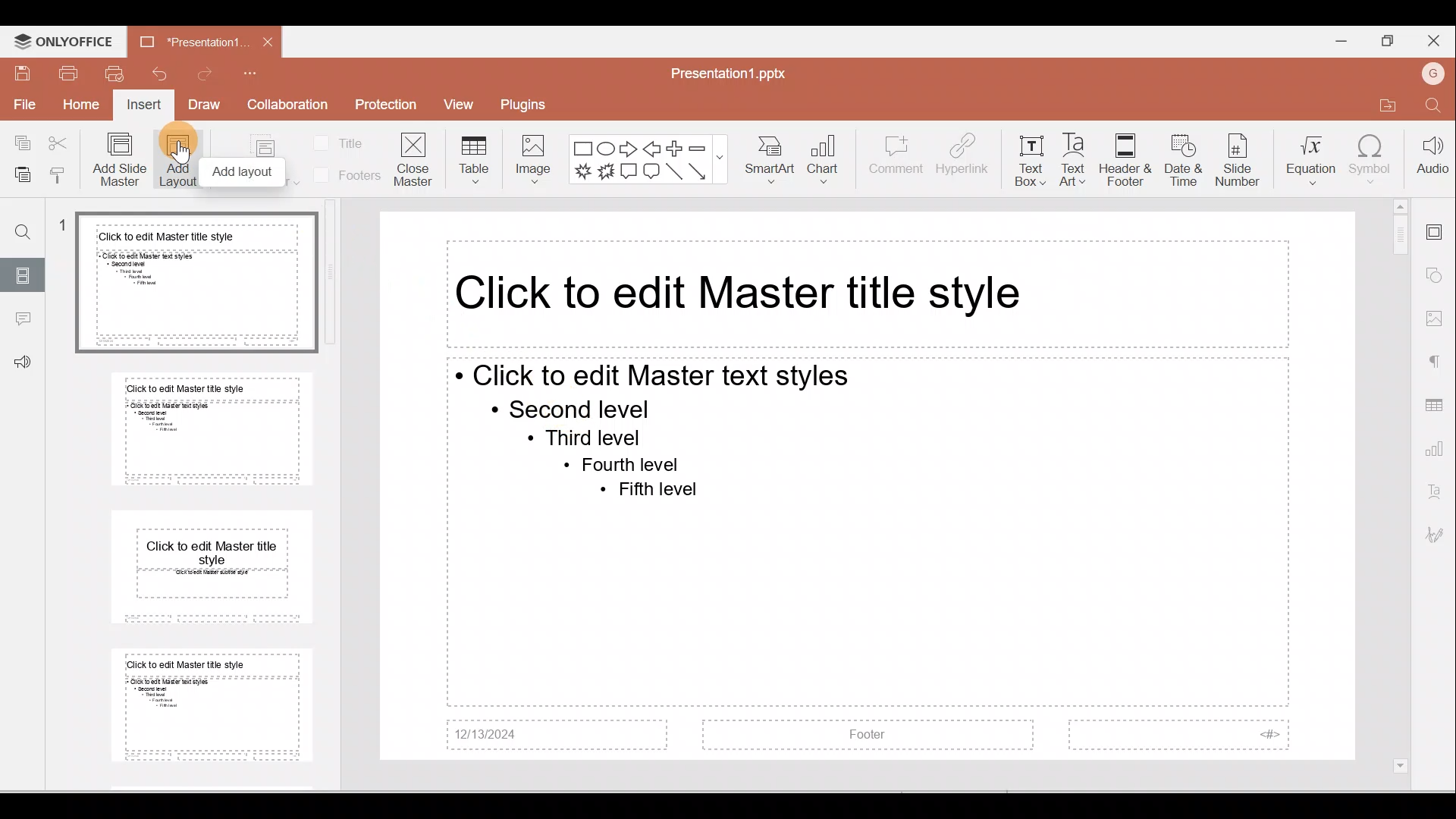  I want to click on Date & time, so click(1184, 161).